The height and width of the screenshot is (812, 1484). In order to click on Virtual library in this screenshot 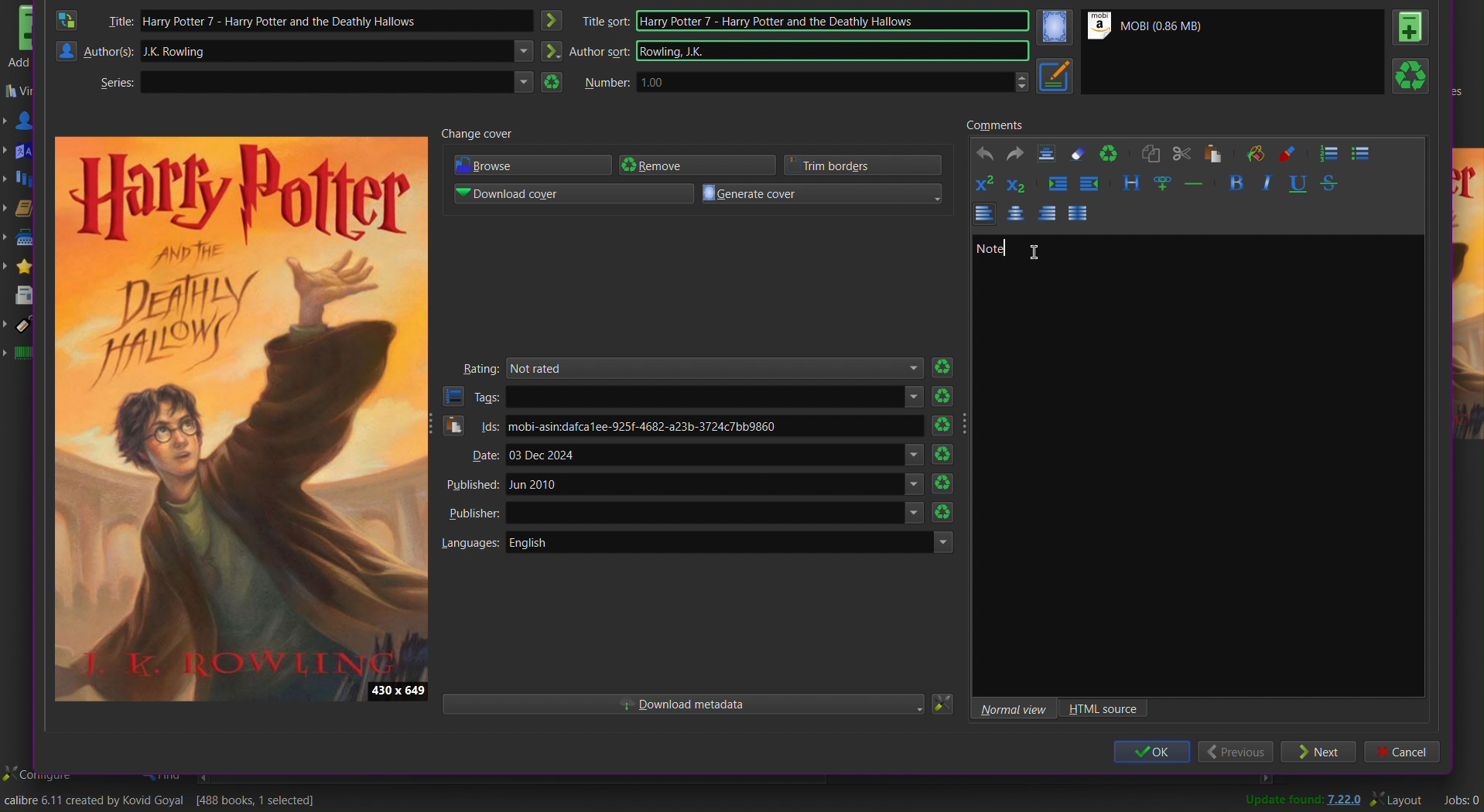, I will do `click(23, 92)`.